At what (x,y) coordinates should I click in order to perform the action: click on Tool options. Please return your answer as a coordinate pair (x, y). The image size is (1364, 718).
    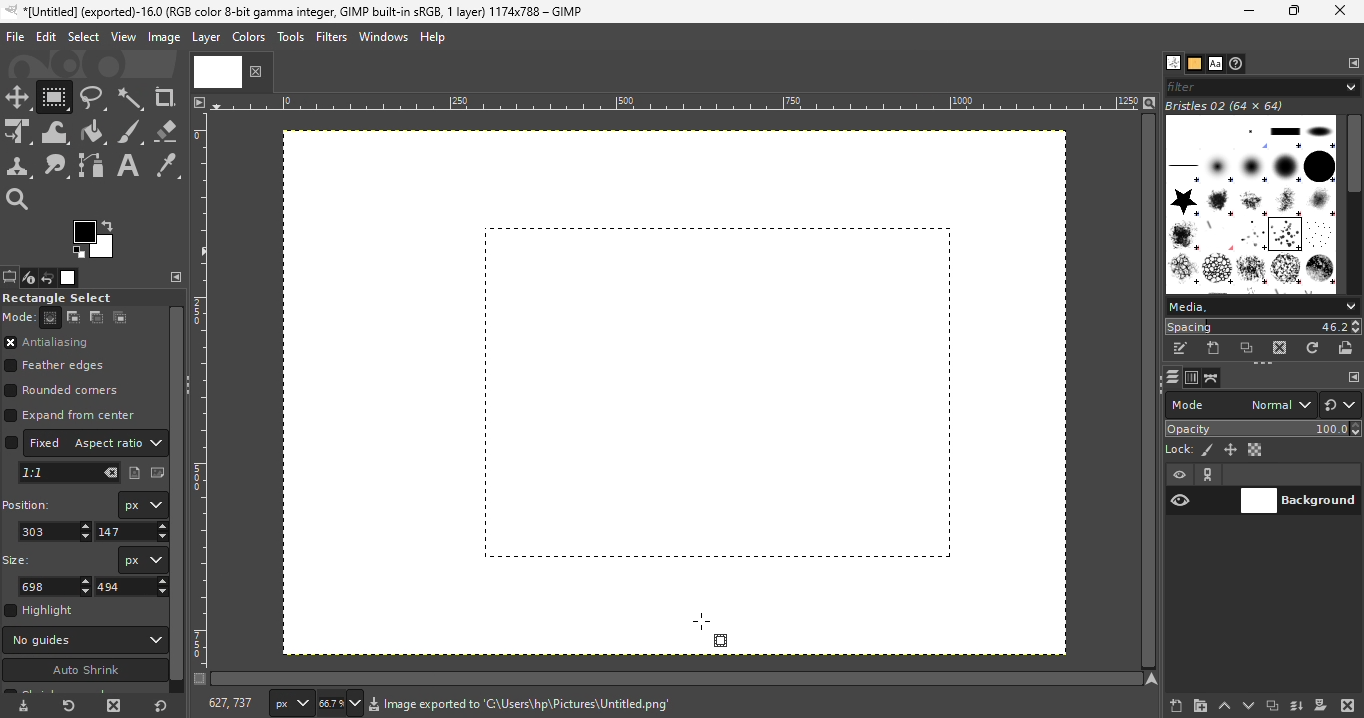
    Looking at the image, I should click on (9, 277).